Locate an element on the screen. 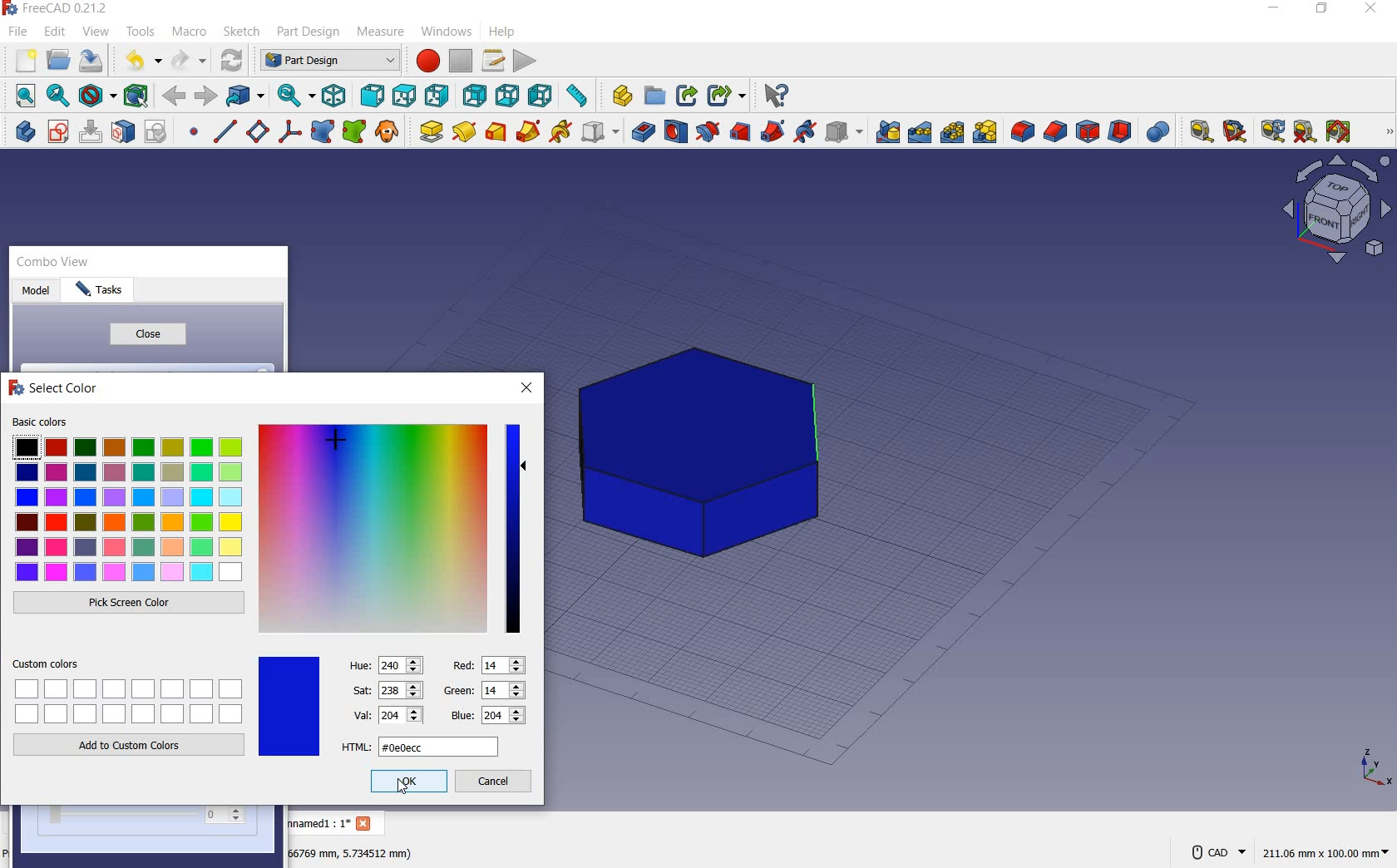 Image resolution: width=1397 pixels, height=868 pixels. color mix is located at coordinates (514, 527).